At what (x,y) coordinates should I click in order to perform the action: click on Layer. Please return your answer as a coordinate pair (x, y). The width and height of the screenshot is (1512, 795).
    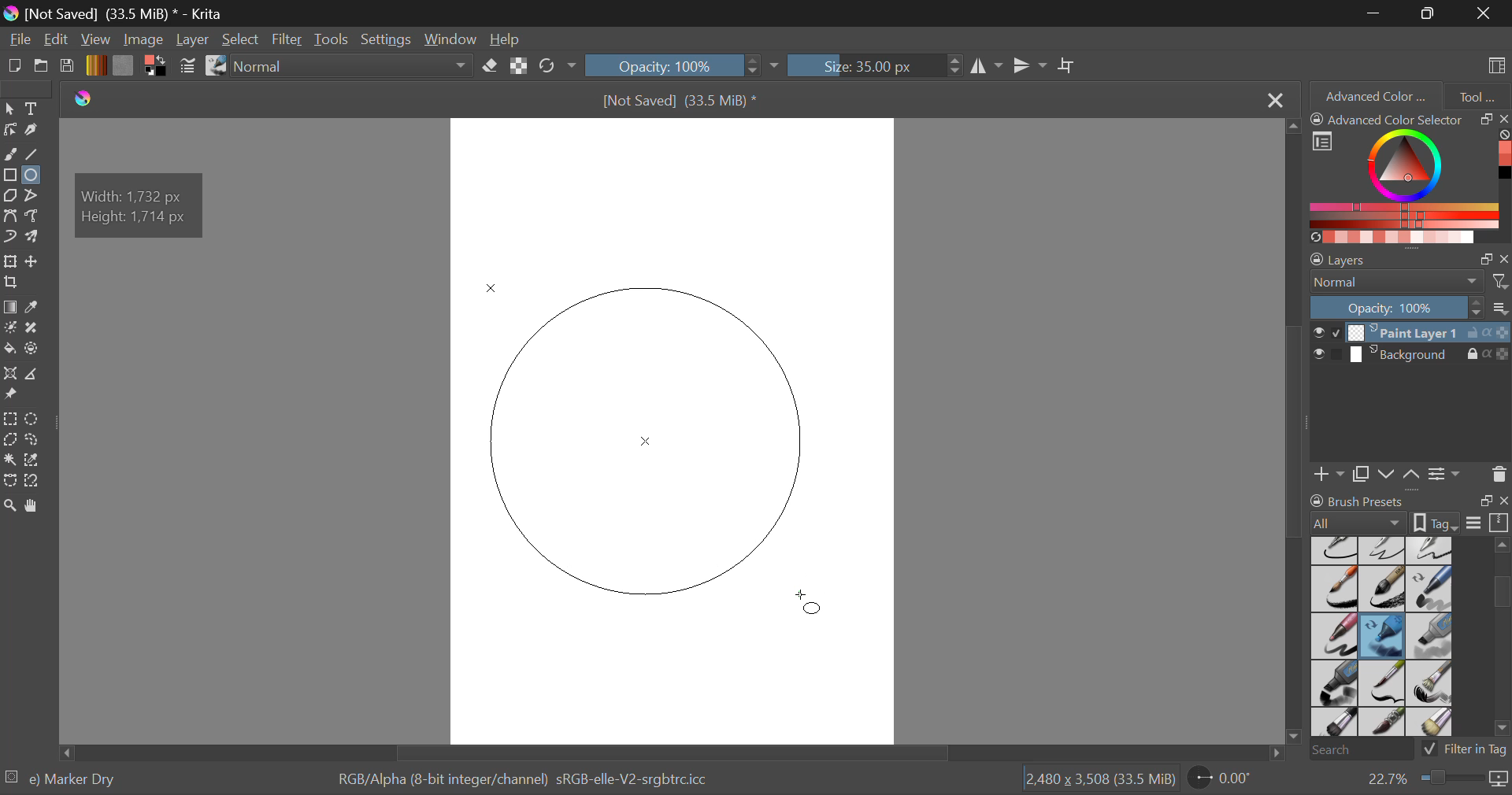
    Looking at the image, I should click on (192, 39).